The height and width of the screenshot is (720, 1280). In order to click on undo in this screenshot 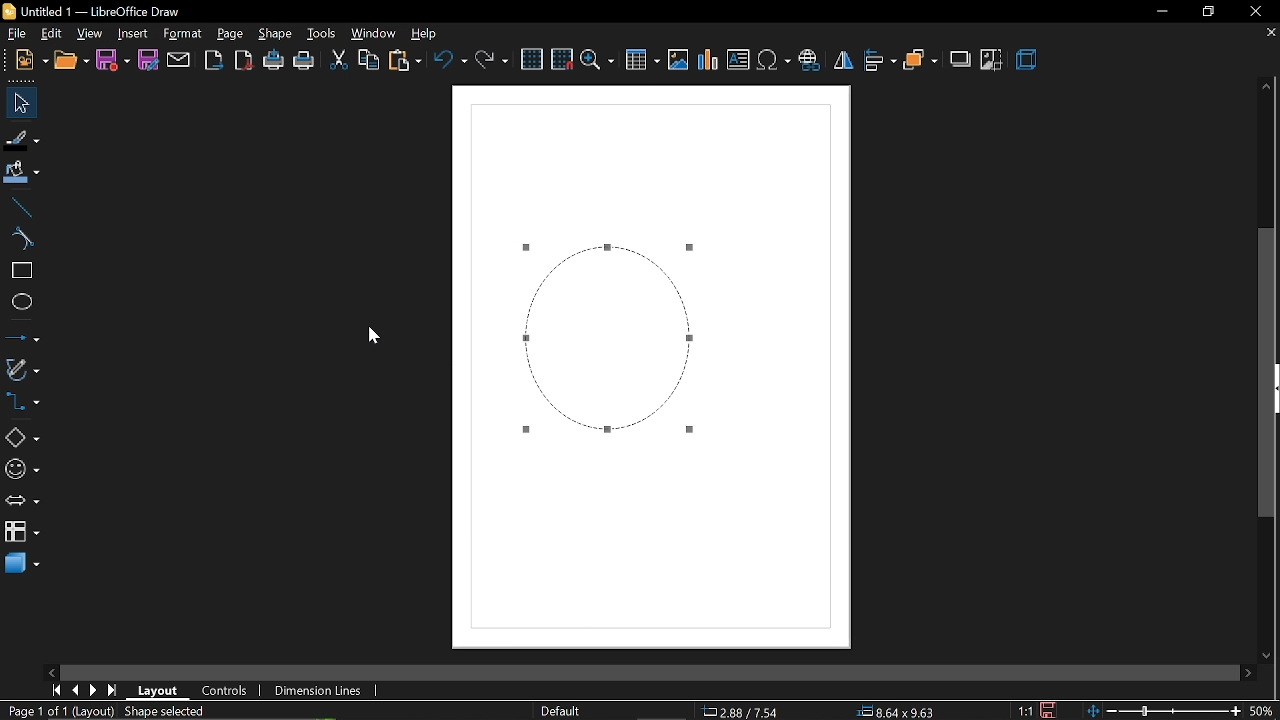, I will do `click(450, 61)`.